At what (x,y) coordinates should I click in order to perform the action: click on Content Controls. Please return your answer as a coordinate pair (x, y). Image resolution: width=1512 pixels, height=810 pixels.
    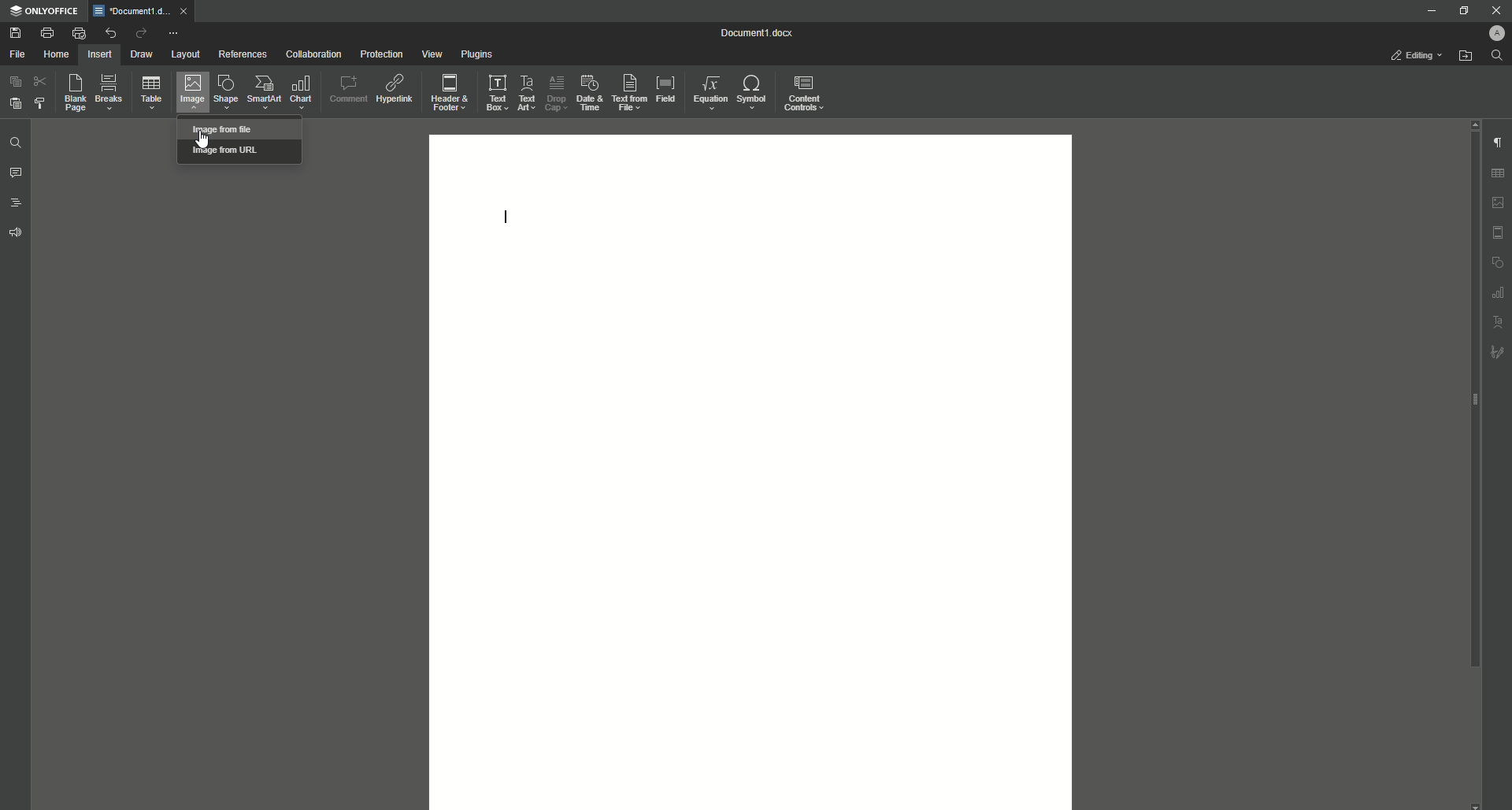
    Looking at the image, I should click on (808, 96).